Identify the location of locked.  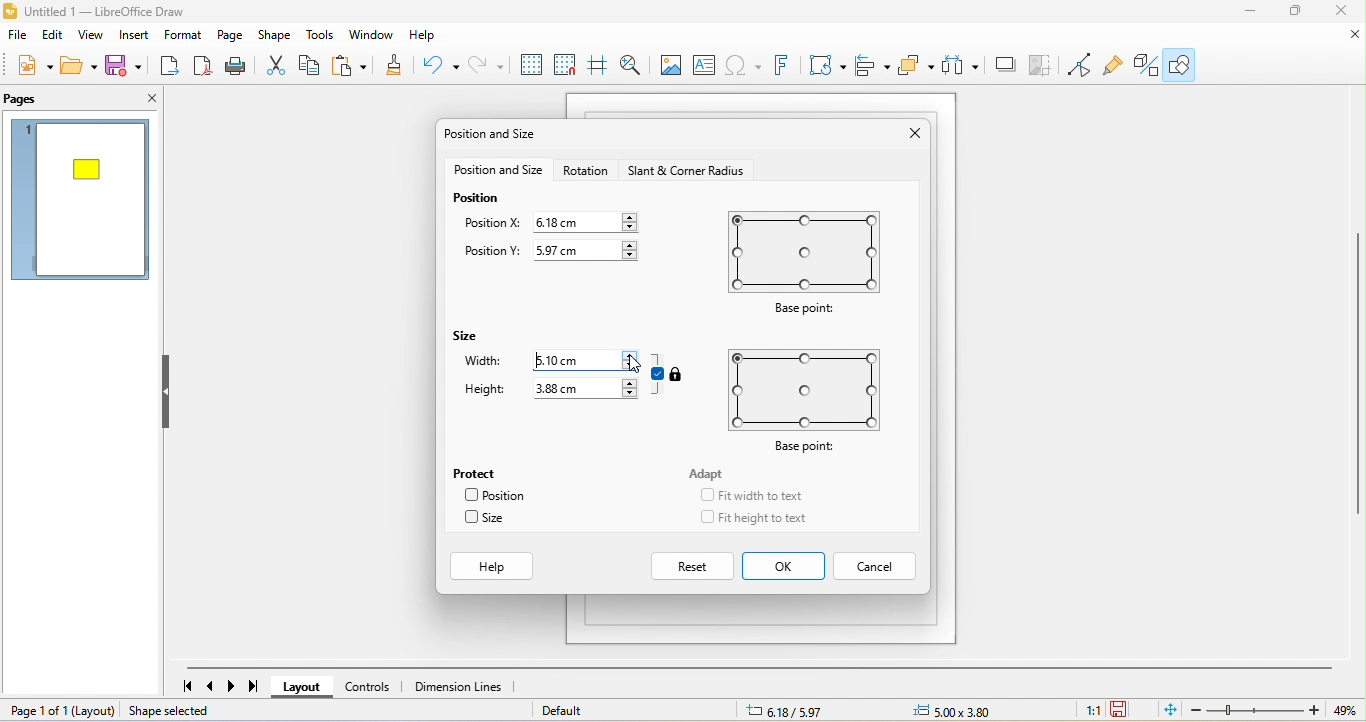
(680, 373).